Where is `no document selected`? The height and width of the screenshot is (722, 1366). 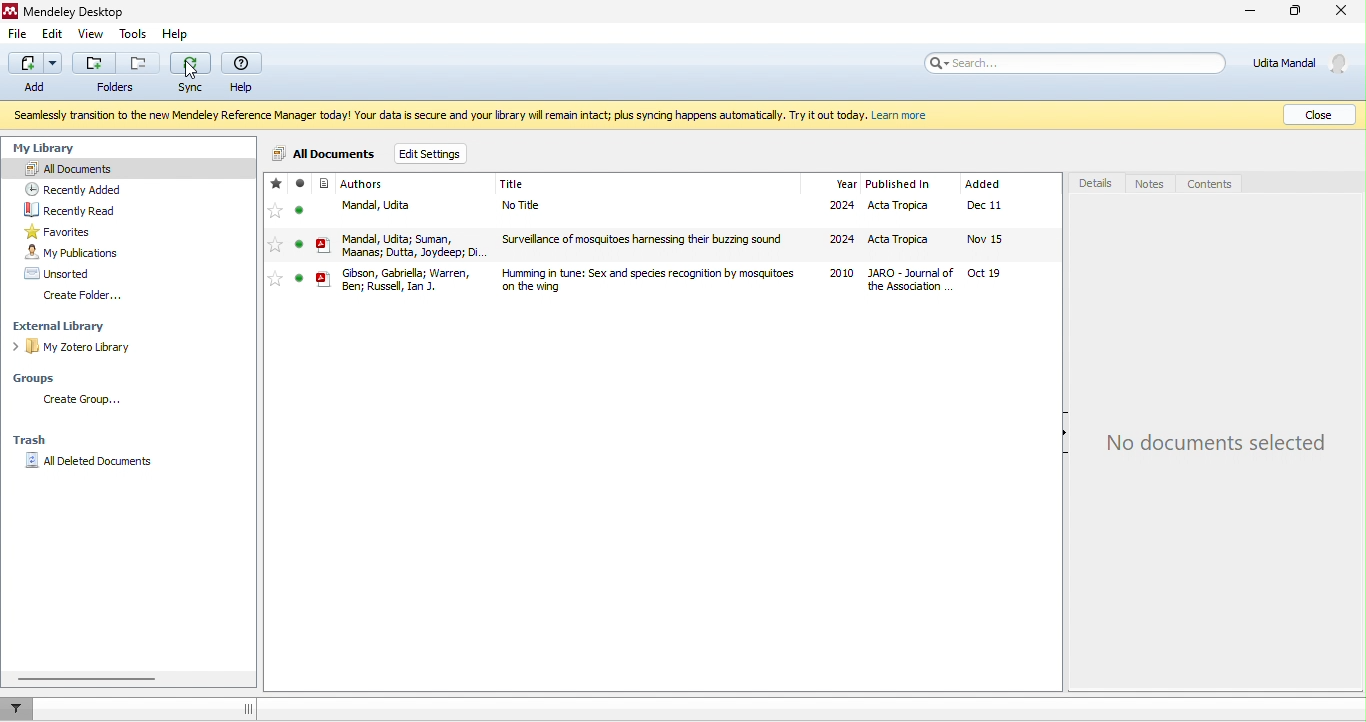 no document selected is located at coordinates (1214, 445).